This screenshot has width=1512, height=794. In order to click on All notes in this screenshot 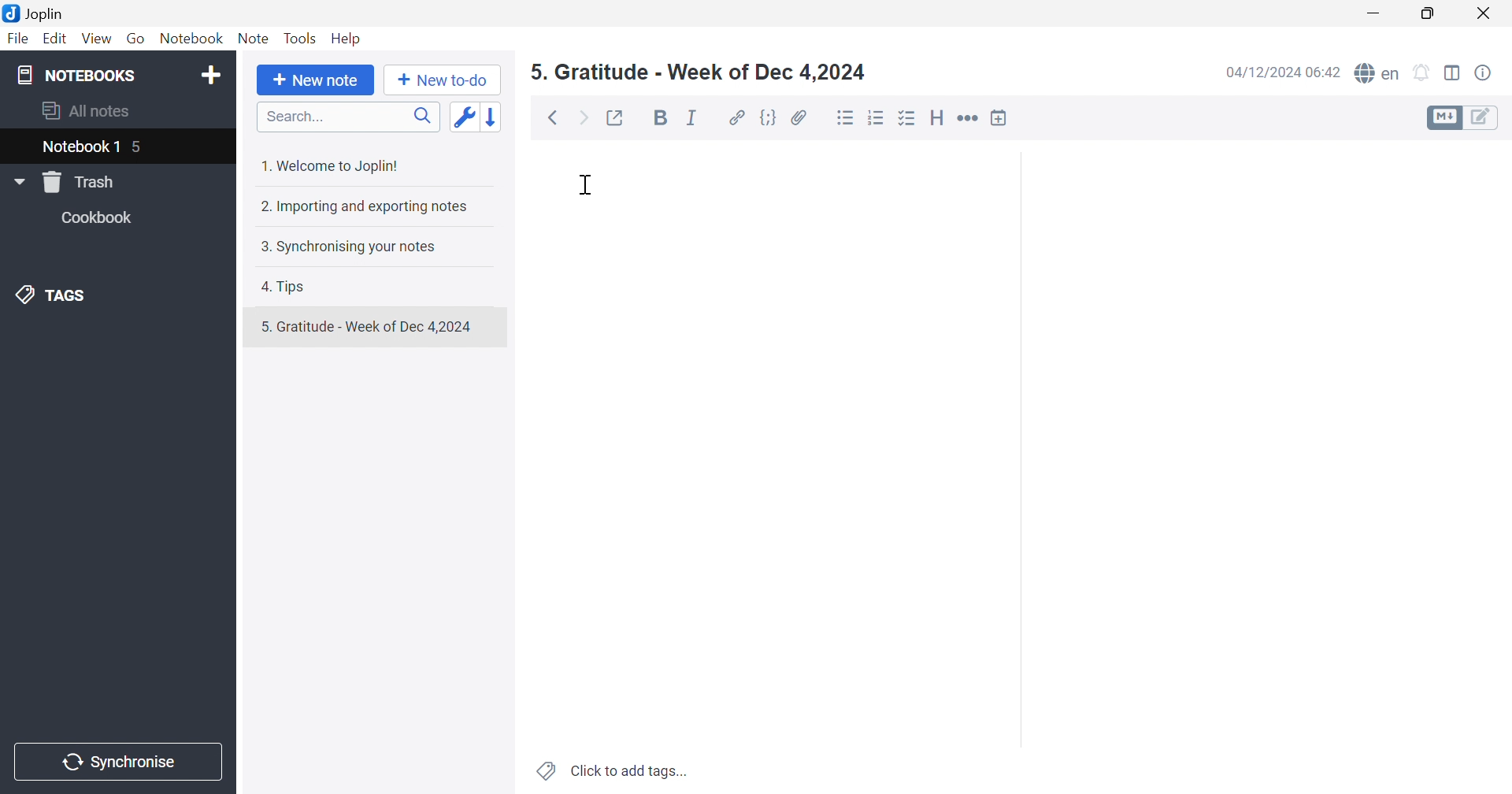, I will do `click(89, 113)`.